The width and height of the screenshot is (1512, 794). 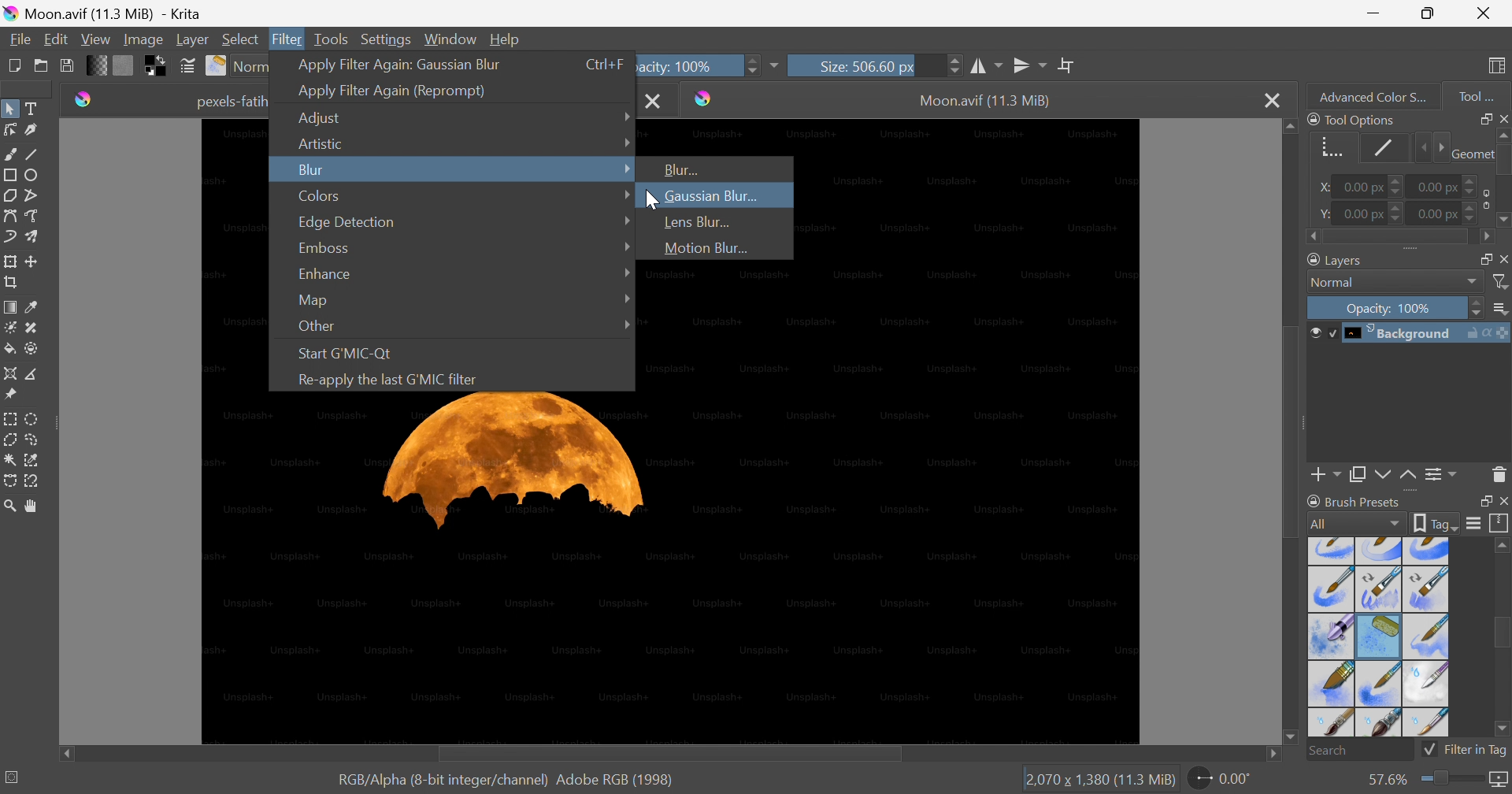 What do you see at coordinates (31, 482) in the screenshot?
I see `Magnetic curve selection tool` at bounding box center [31, 482].